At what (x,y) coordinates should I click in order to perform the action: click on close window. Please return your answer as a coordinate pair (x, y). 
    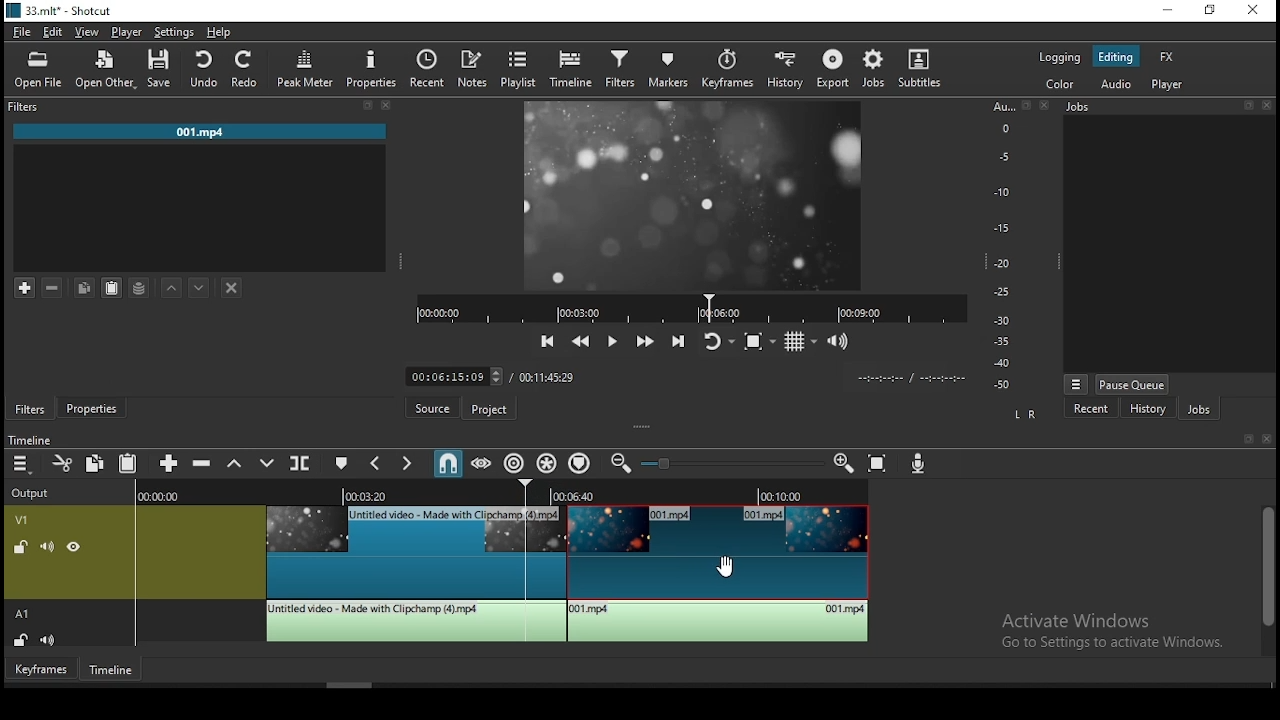
    Looking at the image, I should click on (1255, 12).